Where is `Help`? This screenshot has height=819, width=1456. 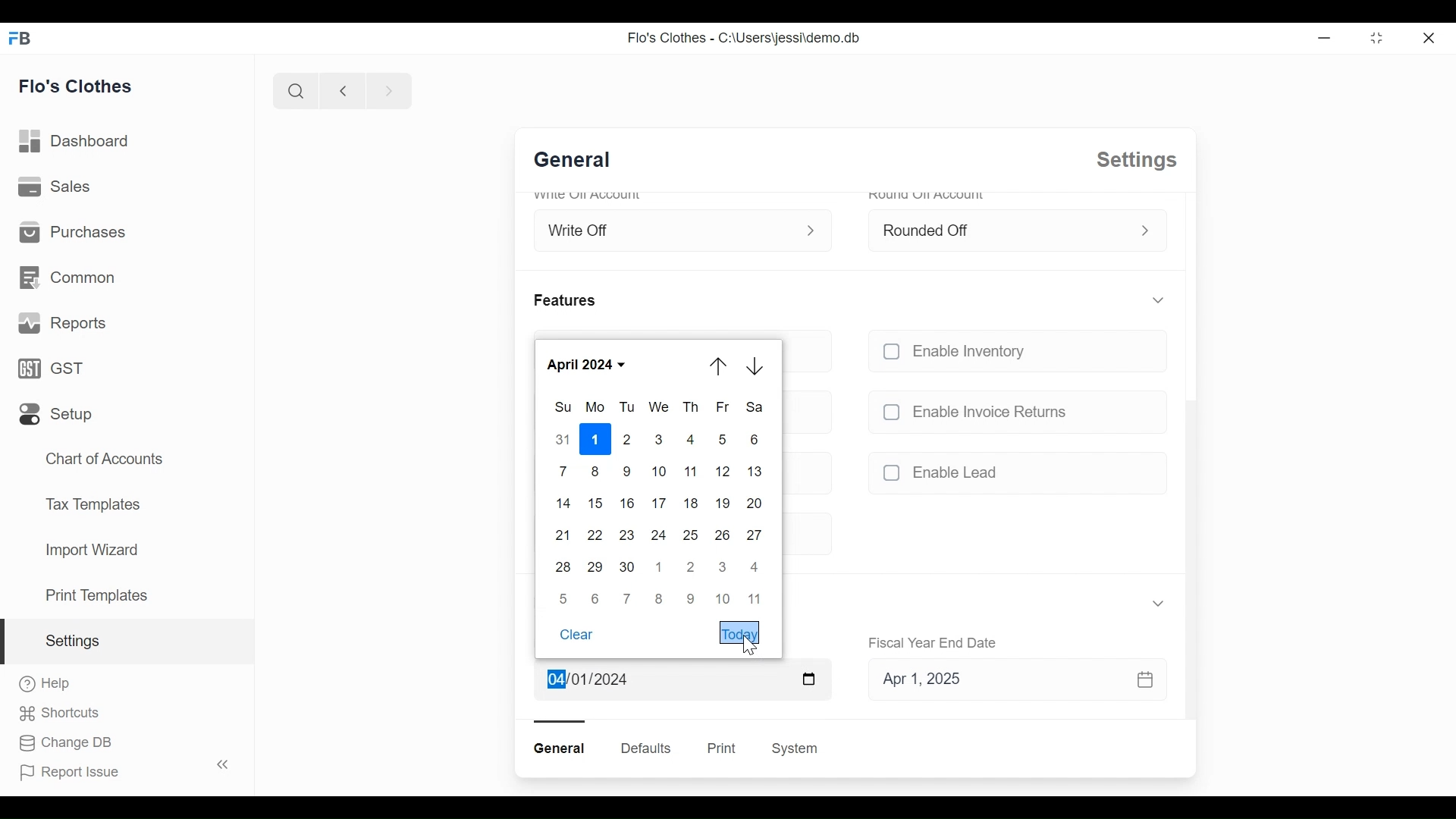
Help is located at coordinates (45, 685).